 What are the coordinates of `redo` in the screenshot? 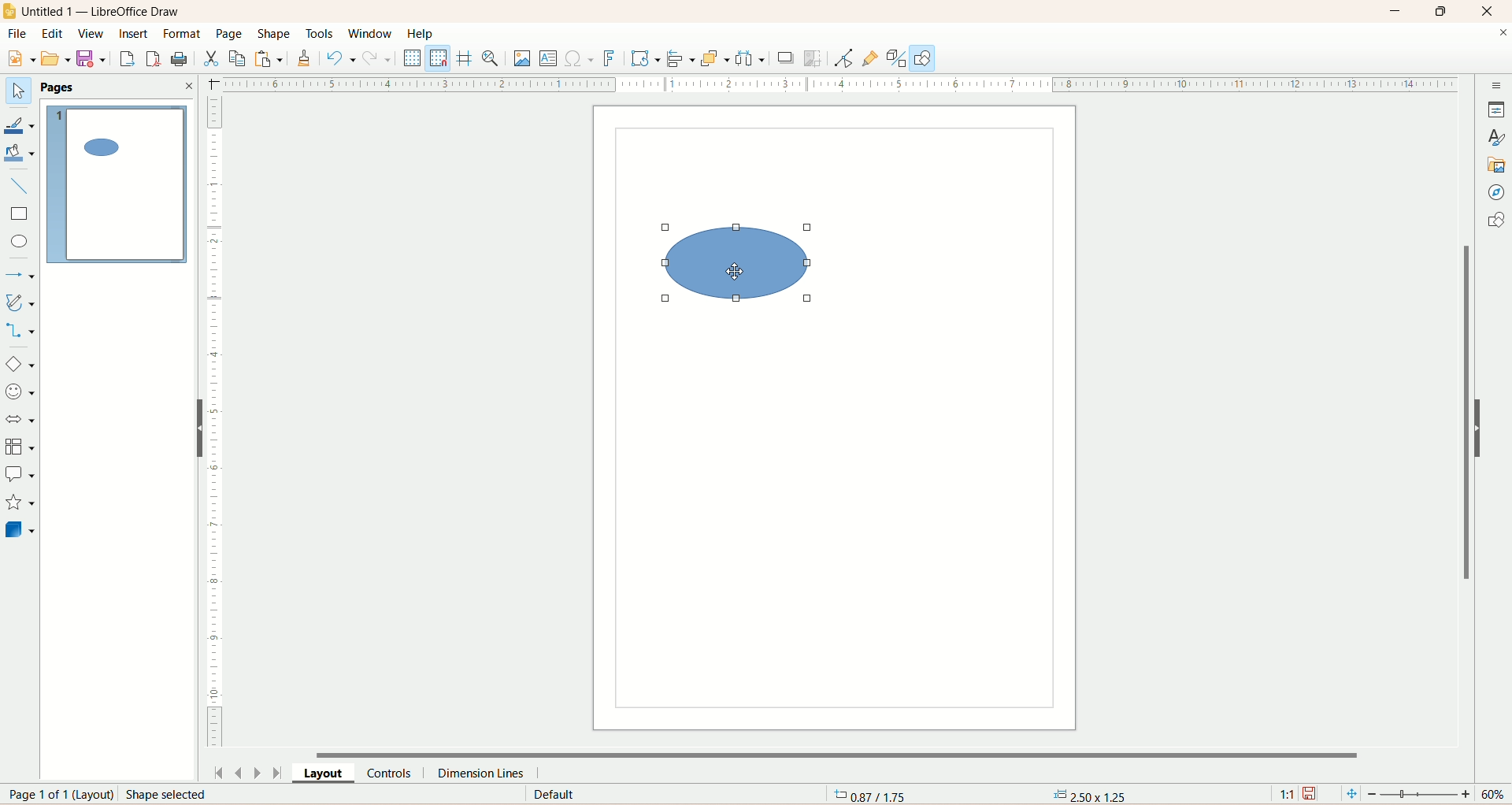 It's located at (380, 60).